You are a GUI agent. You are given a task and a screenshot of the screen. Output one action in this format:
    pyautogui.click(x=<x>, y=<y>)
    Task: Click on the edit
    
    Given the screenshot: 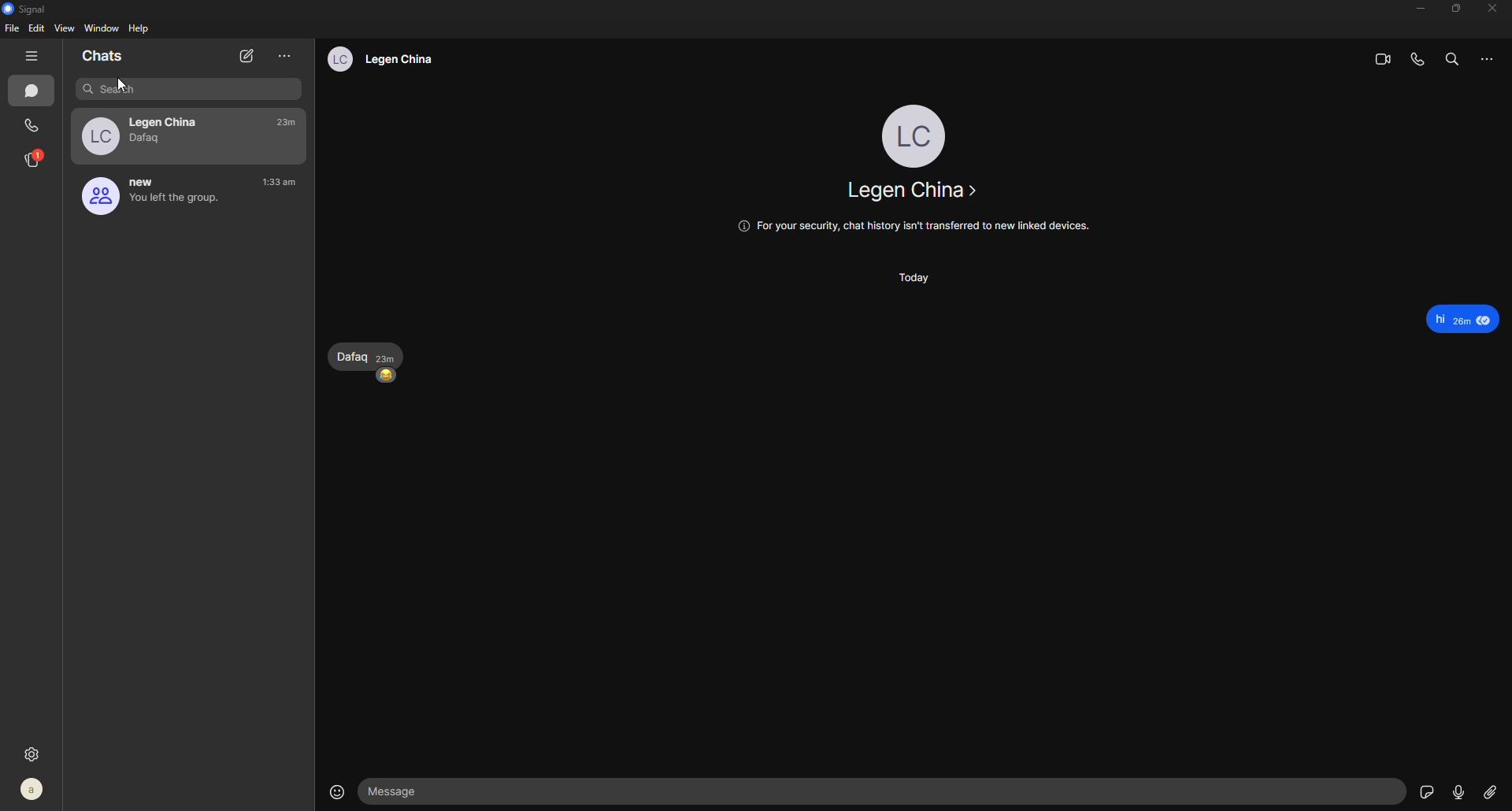 What is the action you would take?
    pyautogui.click(x=36, y=29)
    